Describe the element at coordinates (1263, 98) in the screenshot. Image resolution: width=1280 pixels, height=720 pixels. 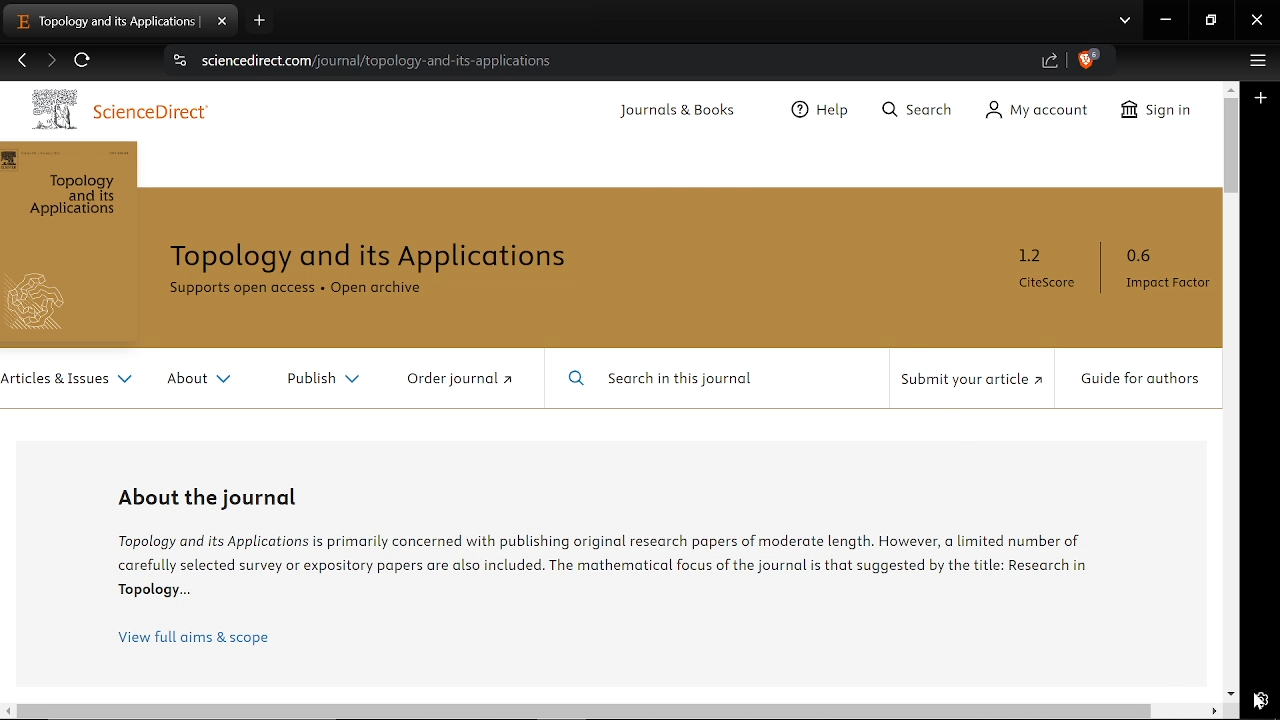
I see `Add to sidebar menu` at that location.